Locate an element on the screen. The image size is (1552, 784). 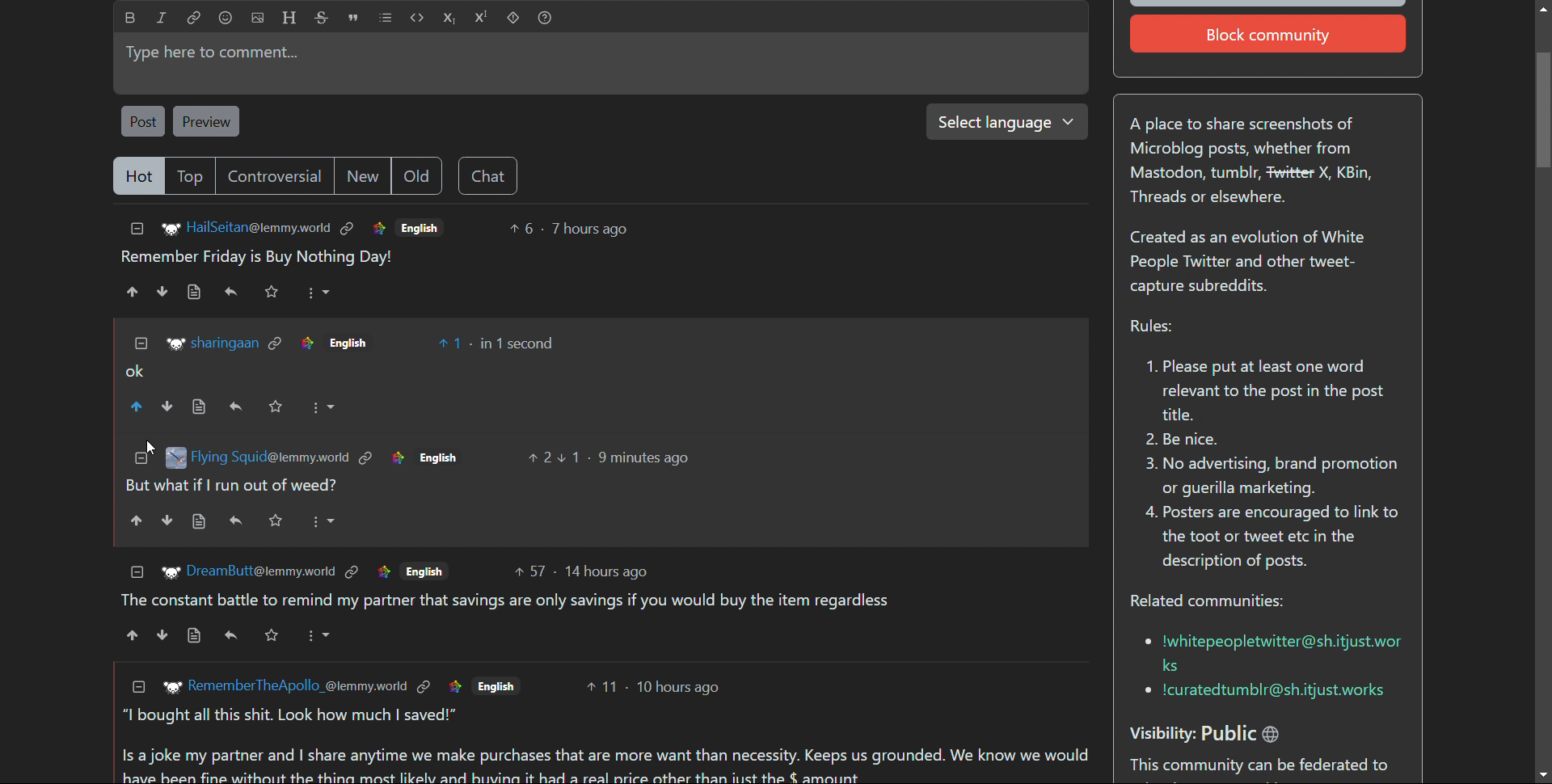
comment is located at coordinates (297, 714).